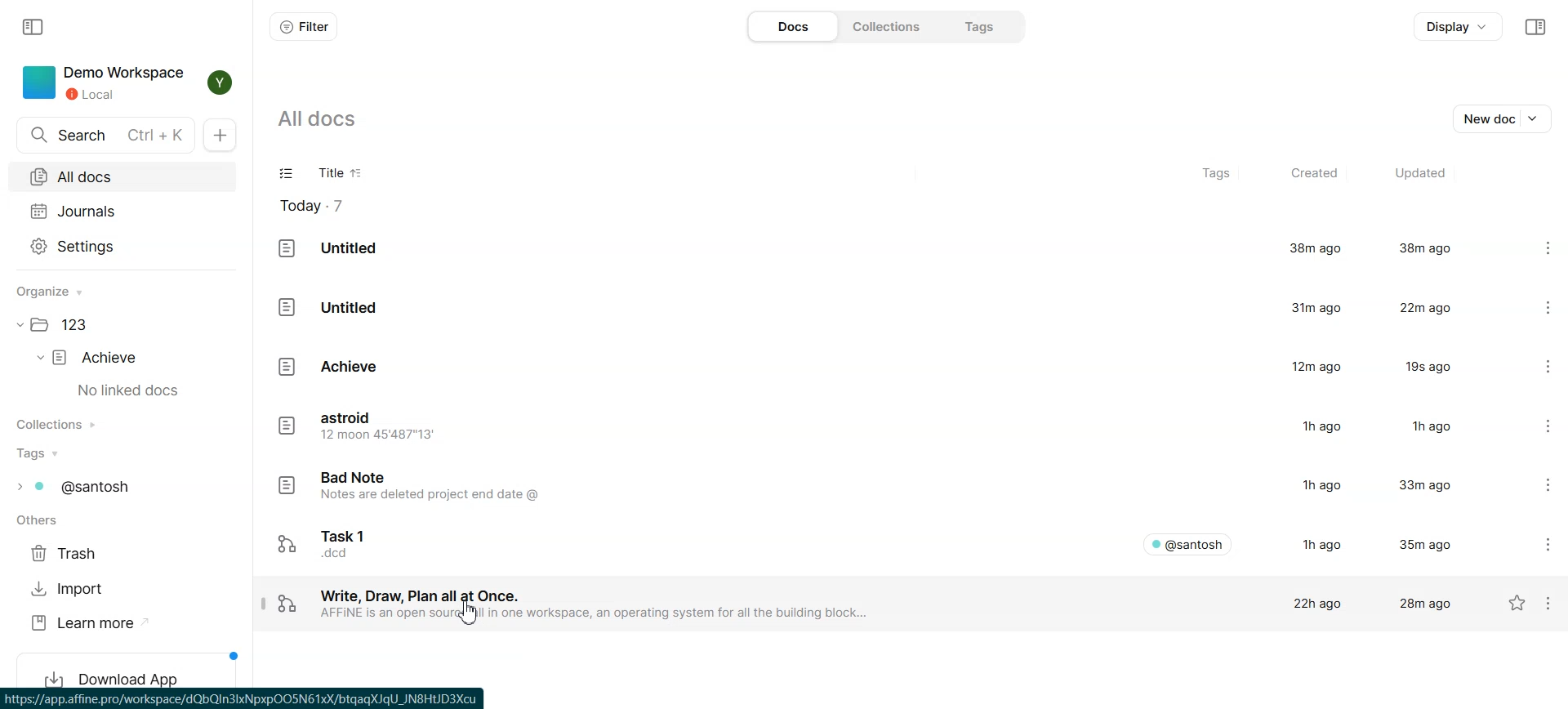  What do you see at coordinates (878, 249) in the screenshot?
I see `Doc File` at bounding box center [878, 249].